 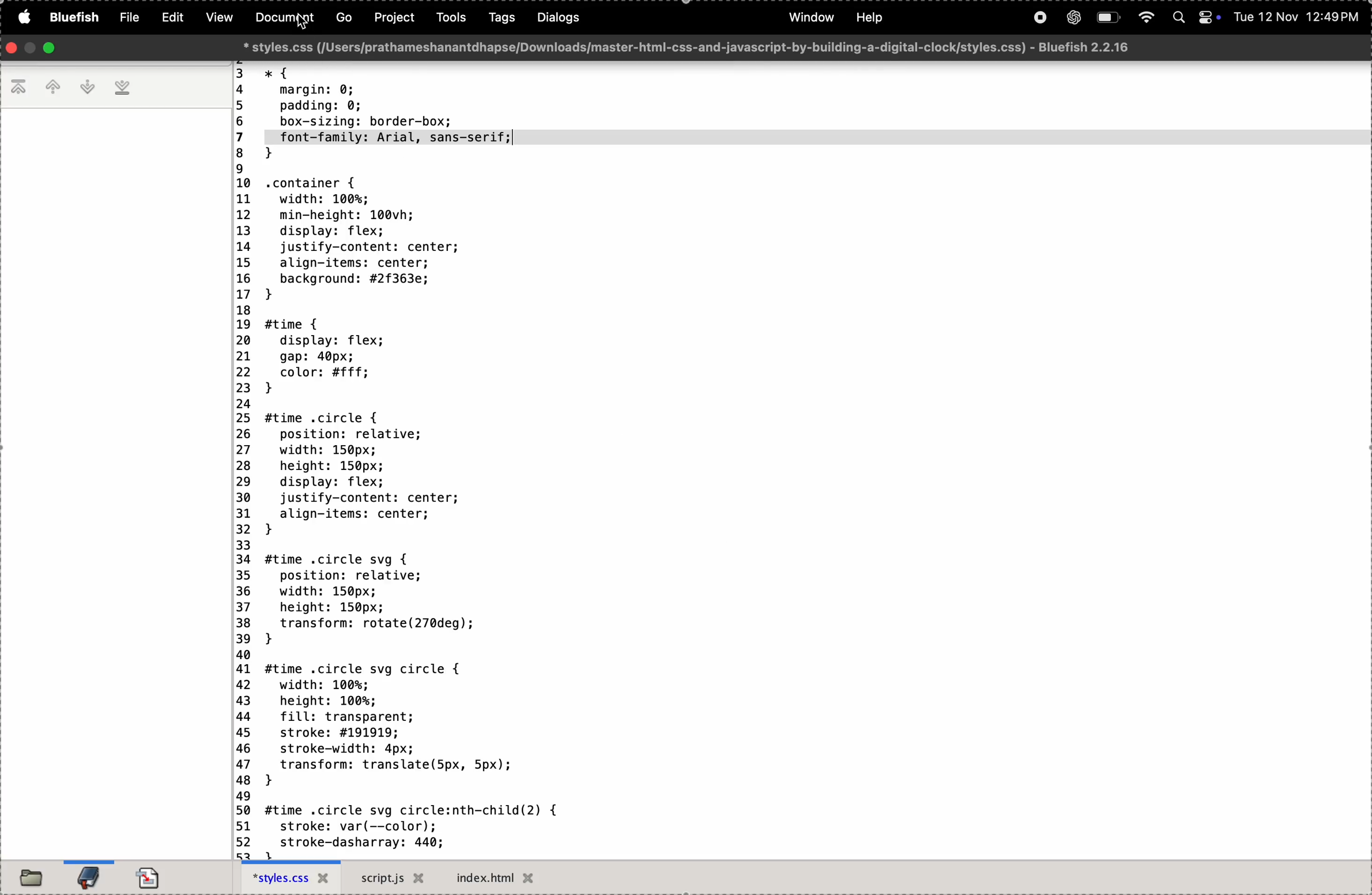 I want to click on dialogs, so click(x=556, y=18).